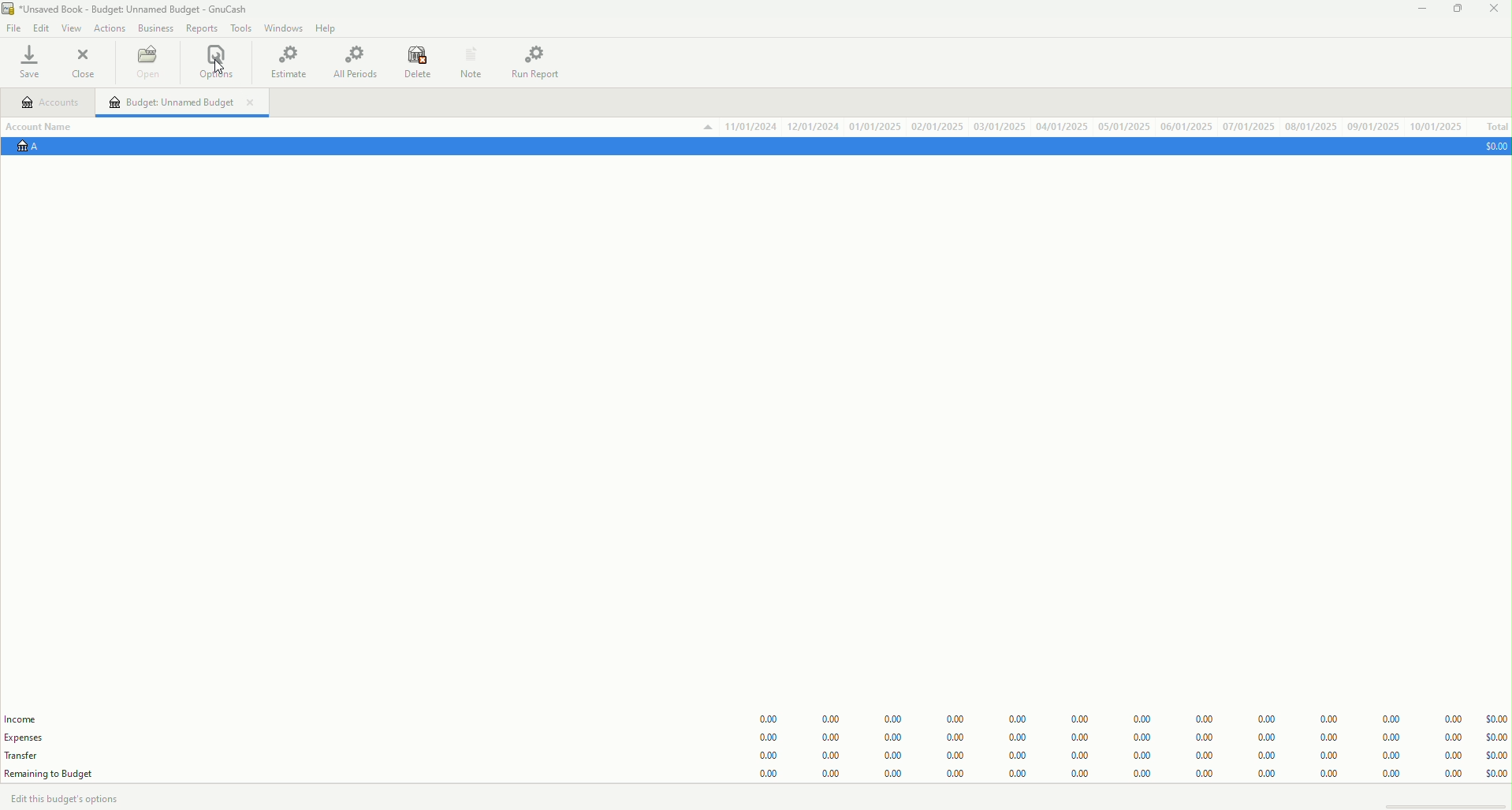  What do you see at coordinates (1456, 10) in the screenshot?
I see `Restore` at bounding box center [1456, 10].